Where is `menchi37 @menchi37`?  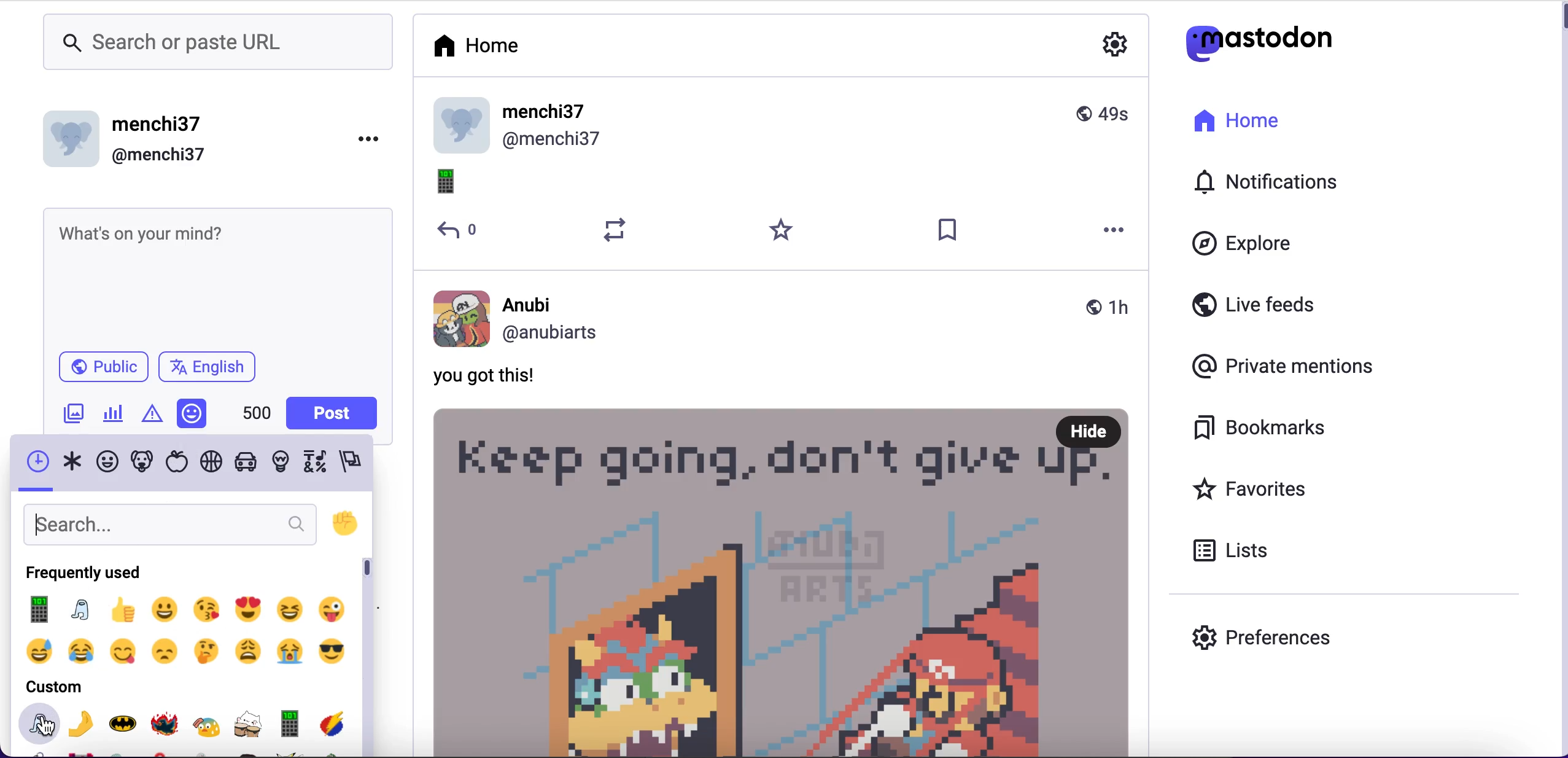 menchi37 @menchi37 is located at coordinates (179, 138).